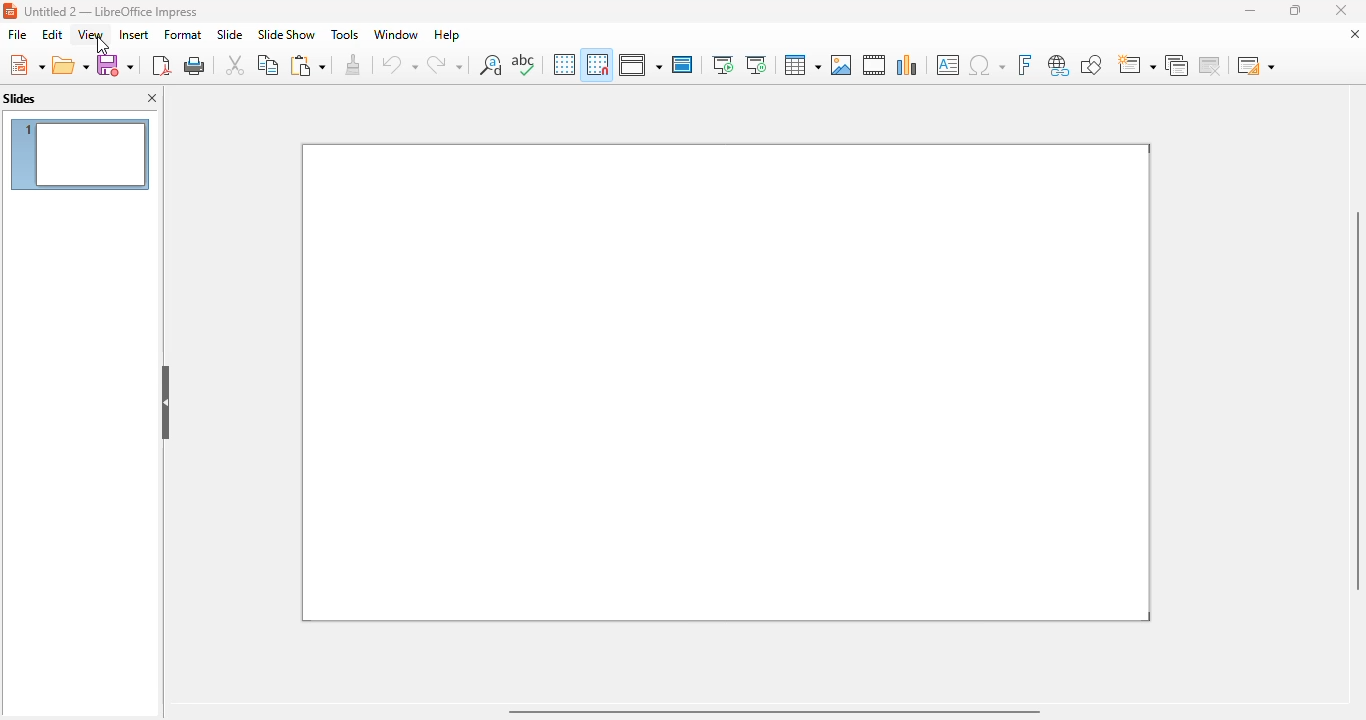  Describe the element at coordinates (17, 35) in the screenshot. I see `file` at that location.